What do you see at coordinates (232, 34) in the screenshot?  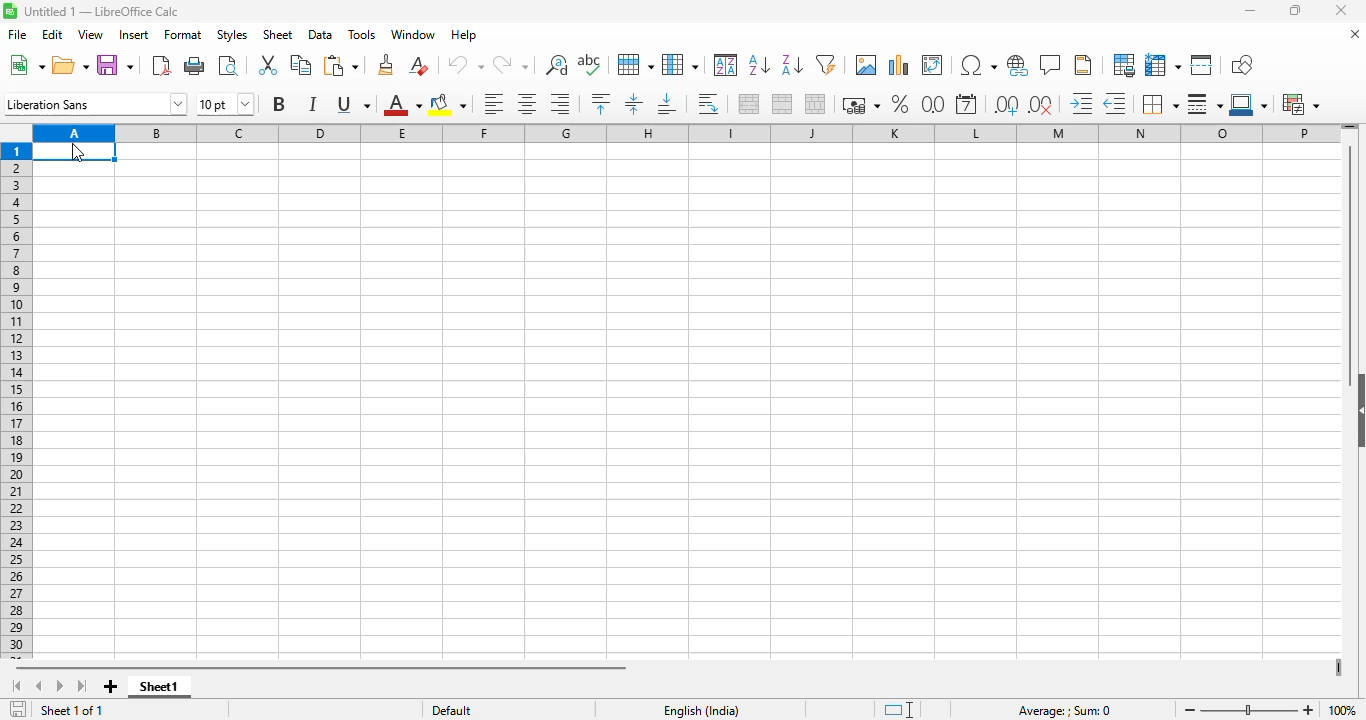 I see `styles` at bounding box center [232, 34].